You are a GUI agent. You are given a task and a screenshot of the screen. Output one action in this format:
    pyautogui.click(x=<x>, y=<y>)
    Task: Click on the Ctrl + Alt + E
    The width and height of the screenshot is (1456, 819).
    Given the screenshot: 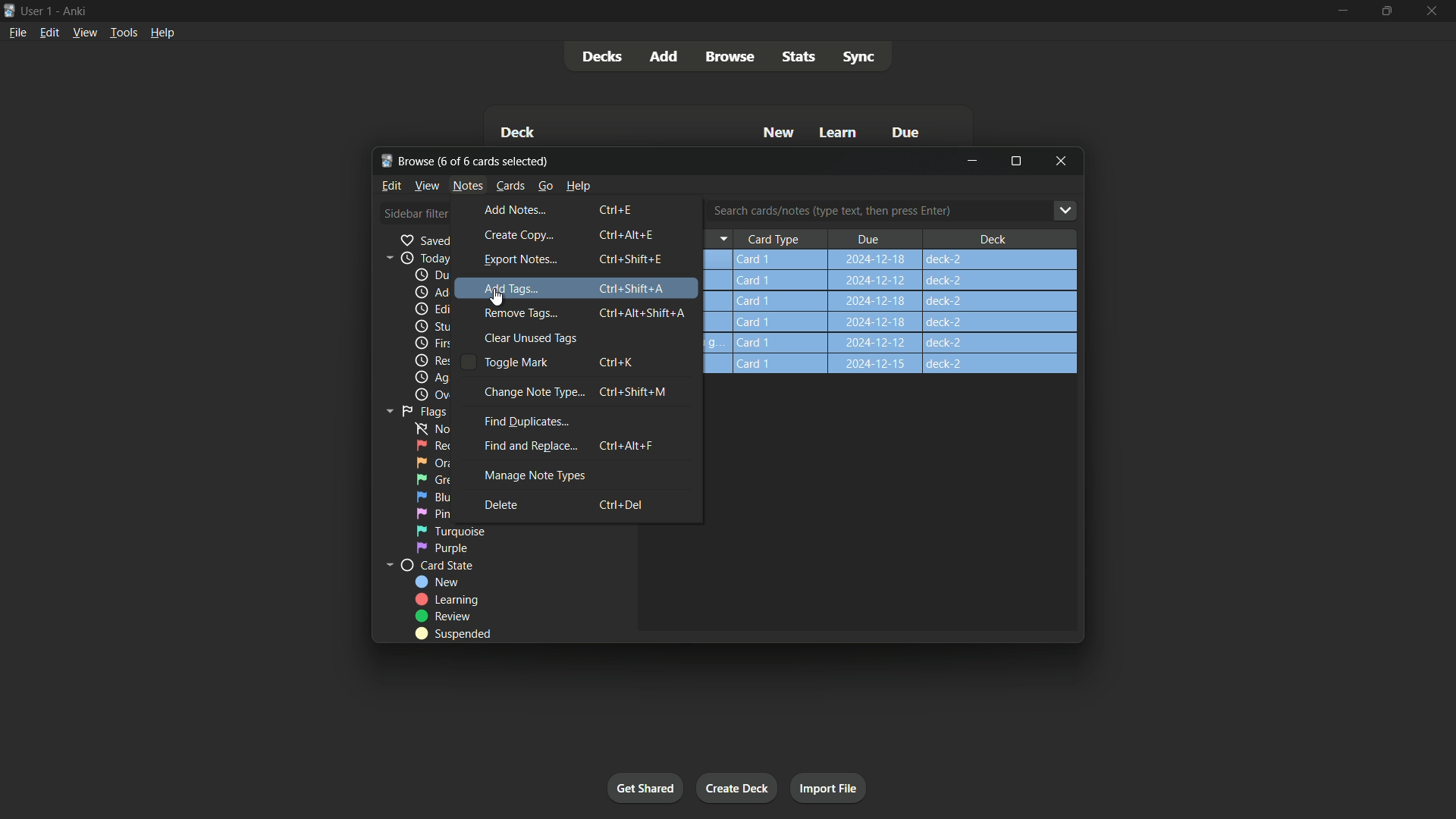 What is the action you would take?
    pyautogui.click(x=624, y=233)
    